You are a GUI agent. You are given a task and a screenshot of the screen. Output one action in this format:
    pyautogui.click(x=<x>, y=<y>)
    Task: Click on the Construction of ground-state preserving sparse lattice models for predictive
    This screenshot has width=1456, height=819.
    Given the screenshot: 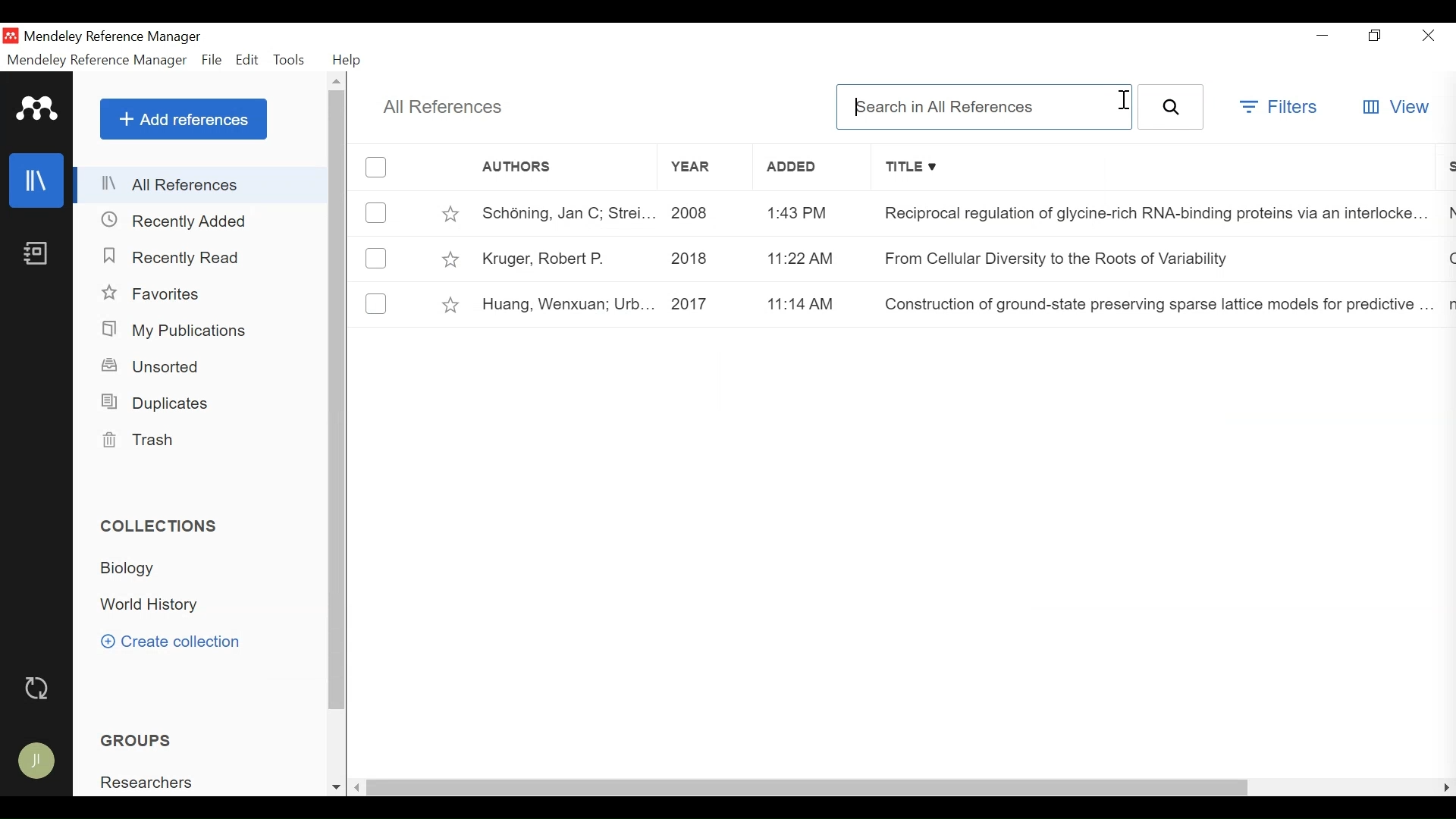 What is the action you would take?
    pyautogui.click(x=1151, y=300)
    